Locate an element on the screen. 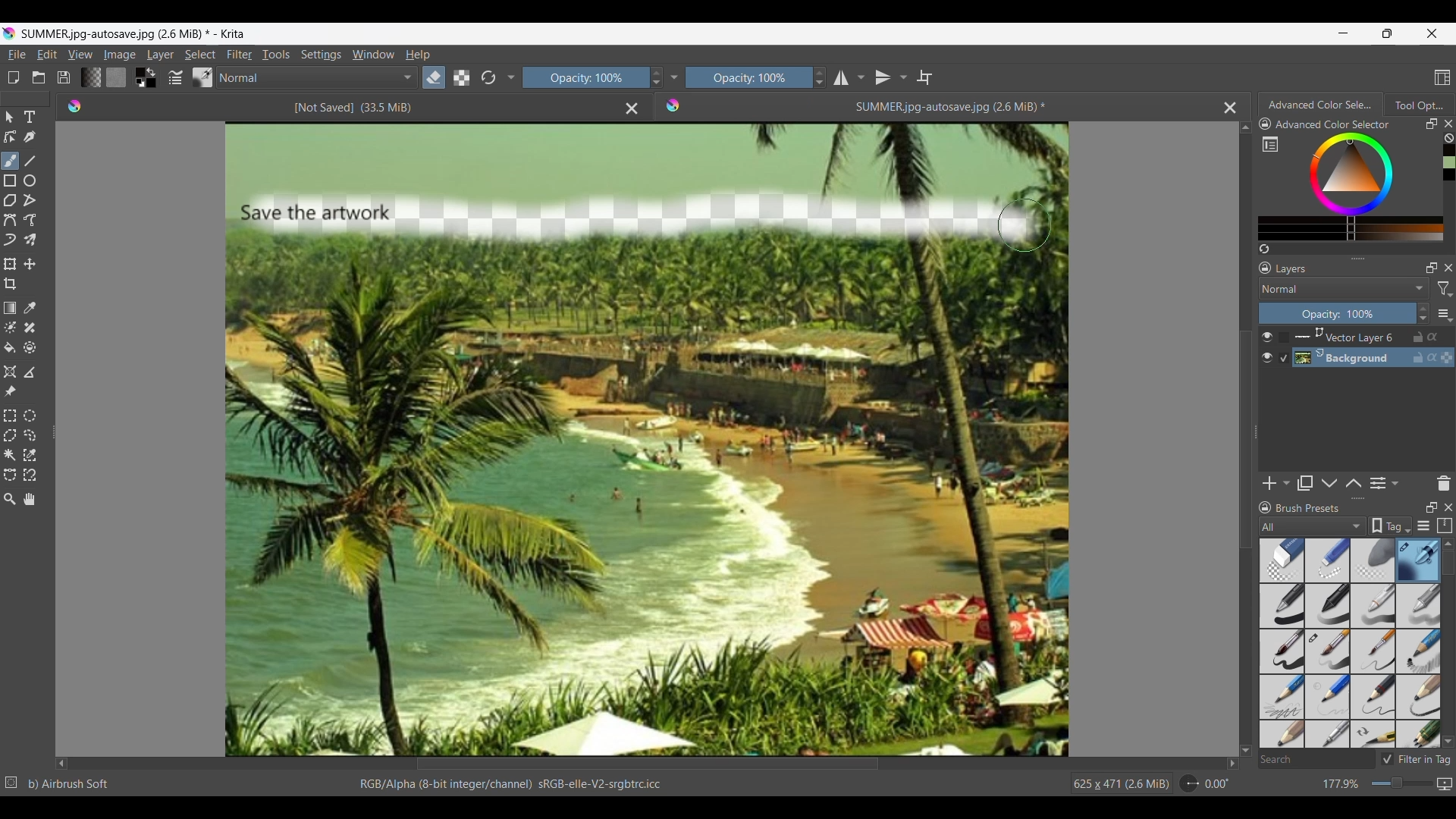 The image size is (1456, 819). Opacity 100% is located at coordinates (749, 77).